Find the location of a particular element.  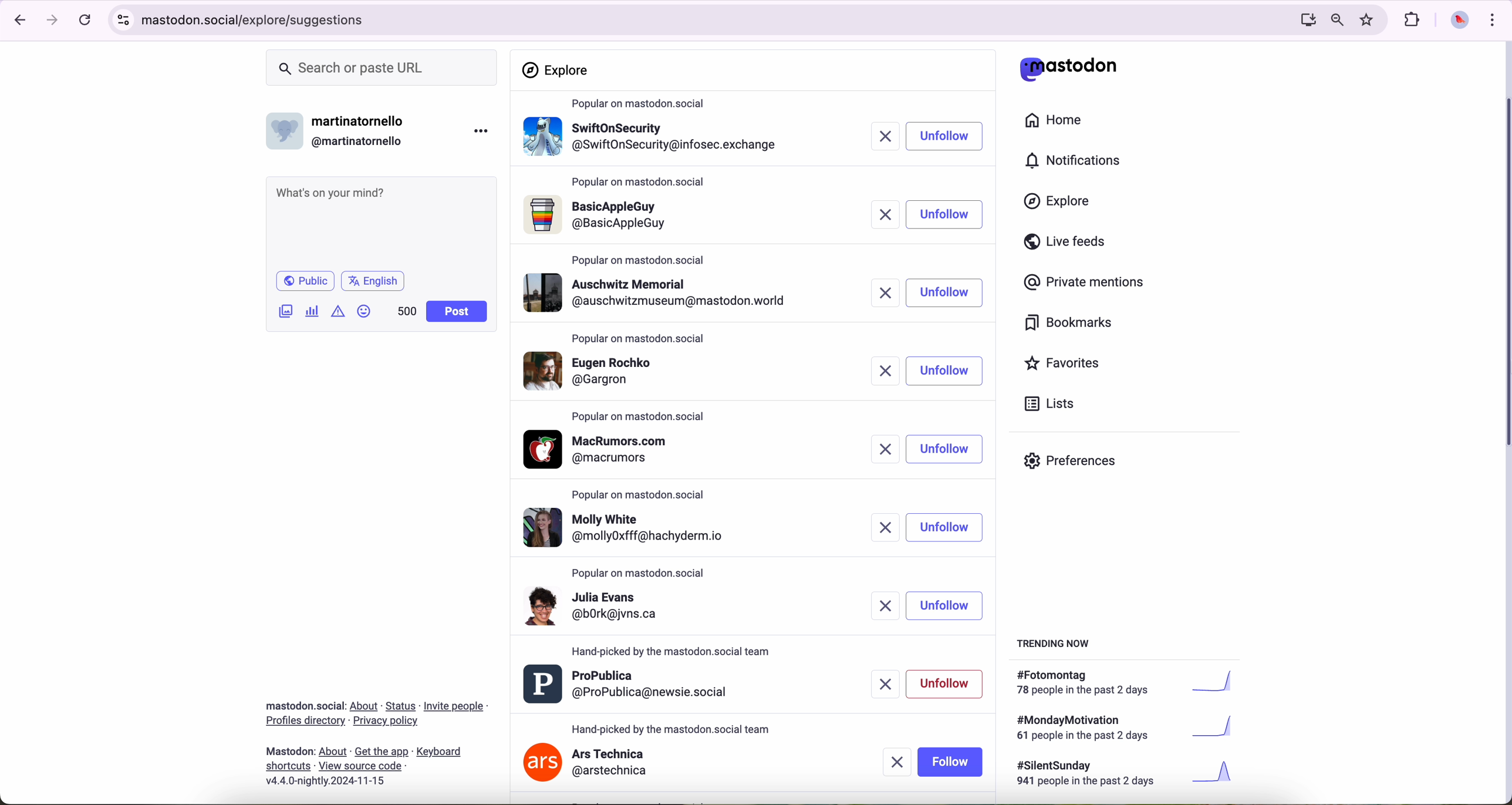

preferences is located at coordinates (1079, 465).